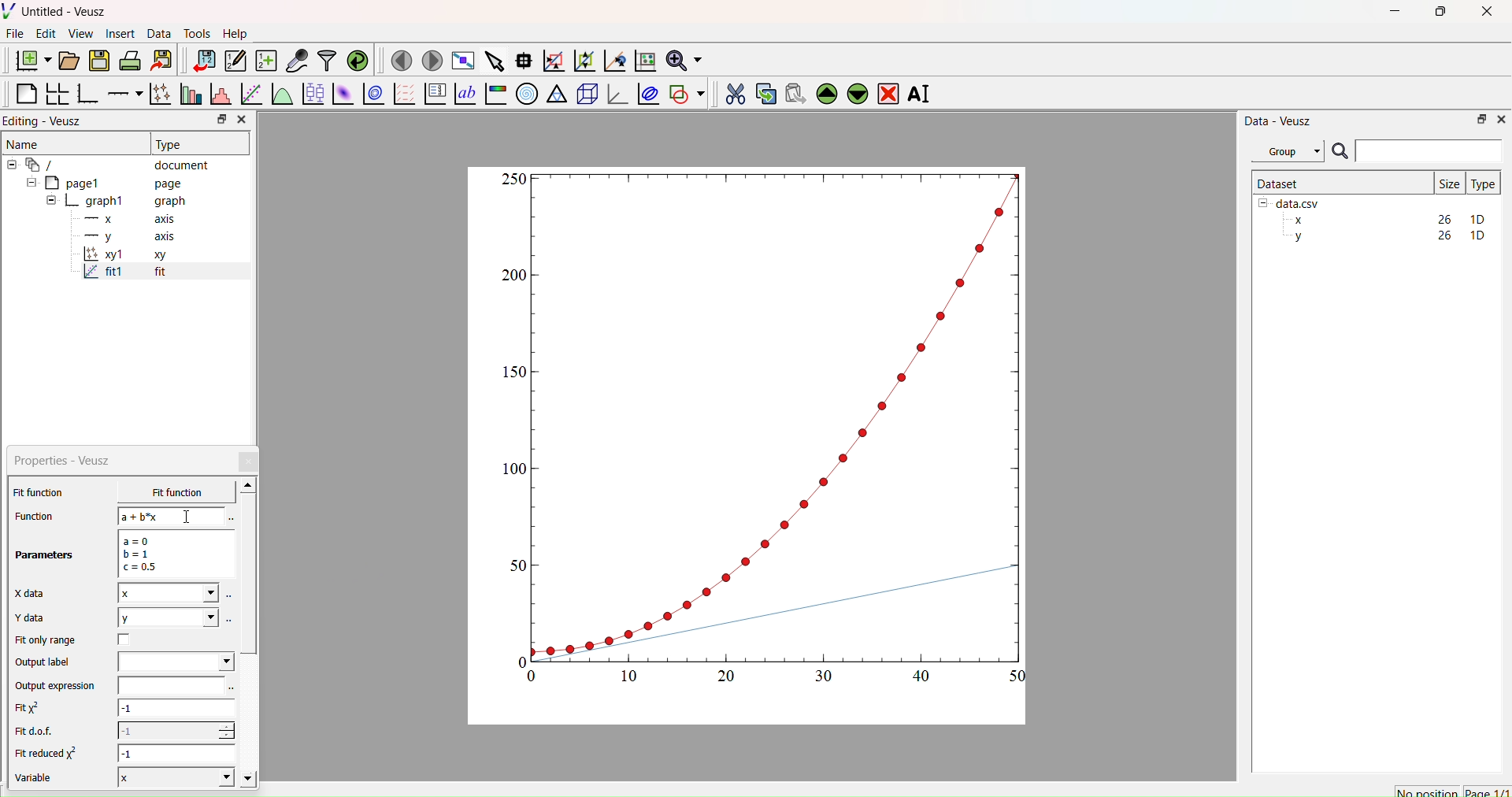 This screenshot has height=797, width=1512. What do you see at coordinates (460, 61) in the screenshot?
I see `Full screen` at bounding box center [460, 61].